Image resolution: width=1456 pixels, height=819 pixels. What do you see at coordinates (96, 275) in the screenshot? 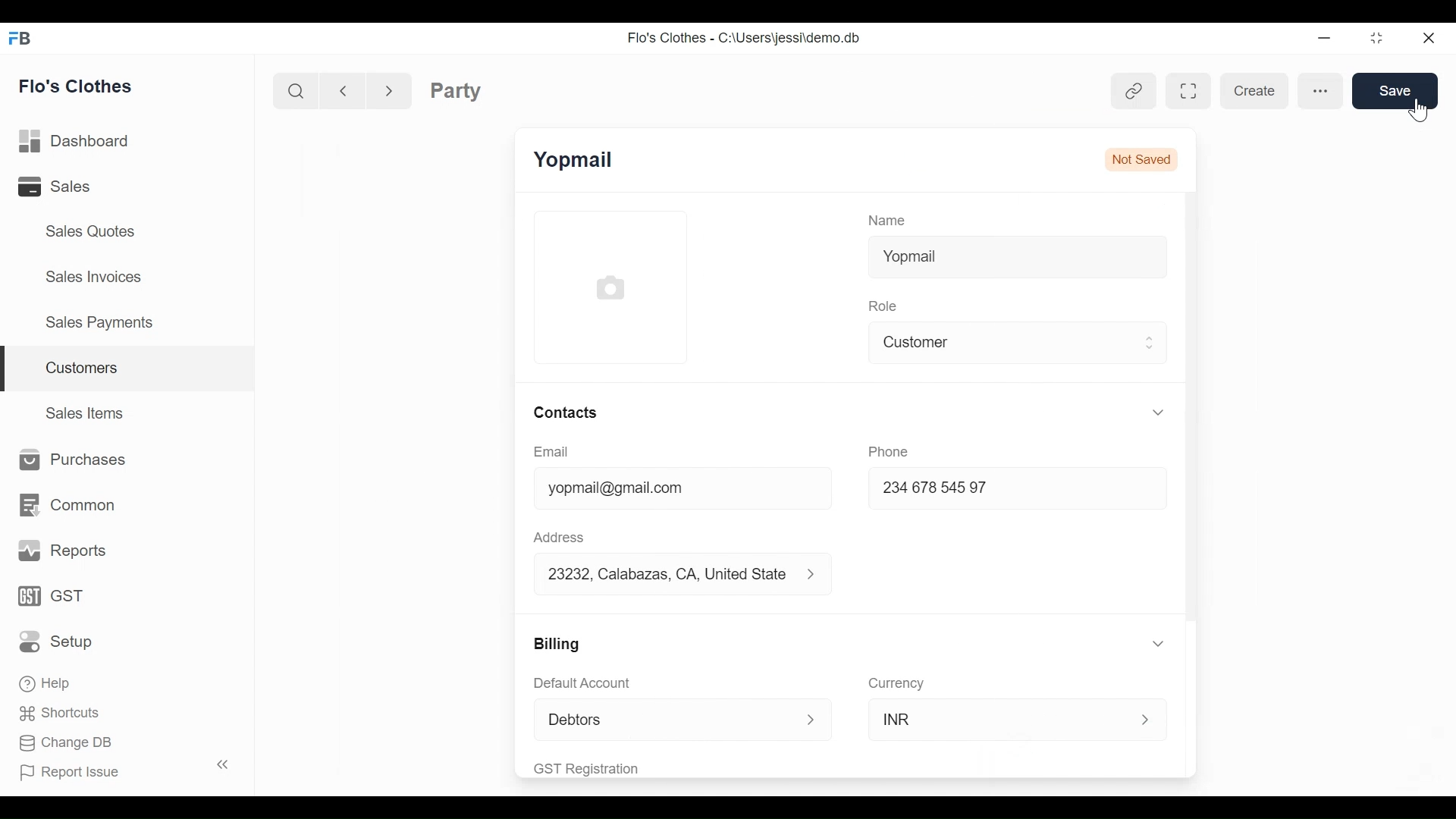
I see `Sales Invoices` at bounding box center [96, 275].